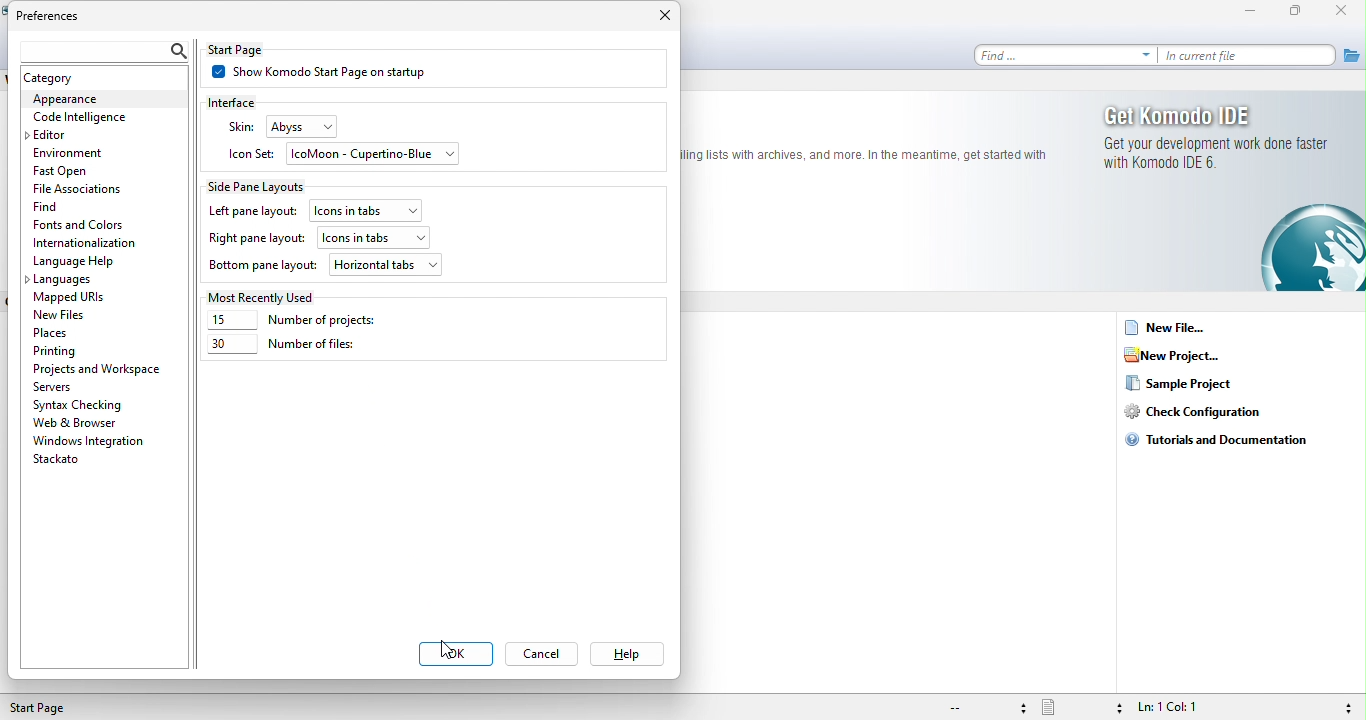 This screenshot has width=1366, height=720. What do you see at coordinates (78, 314) in the screenshot?
I see `new files` at bounding box center [78, 314].